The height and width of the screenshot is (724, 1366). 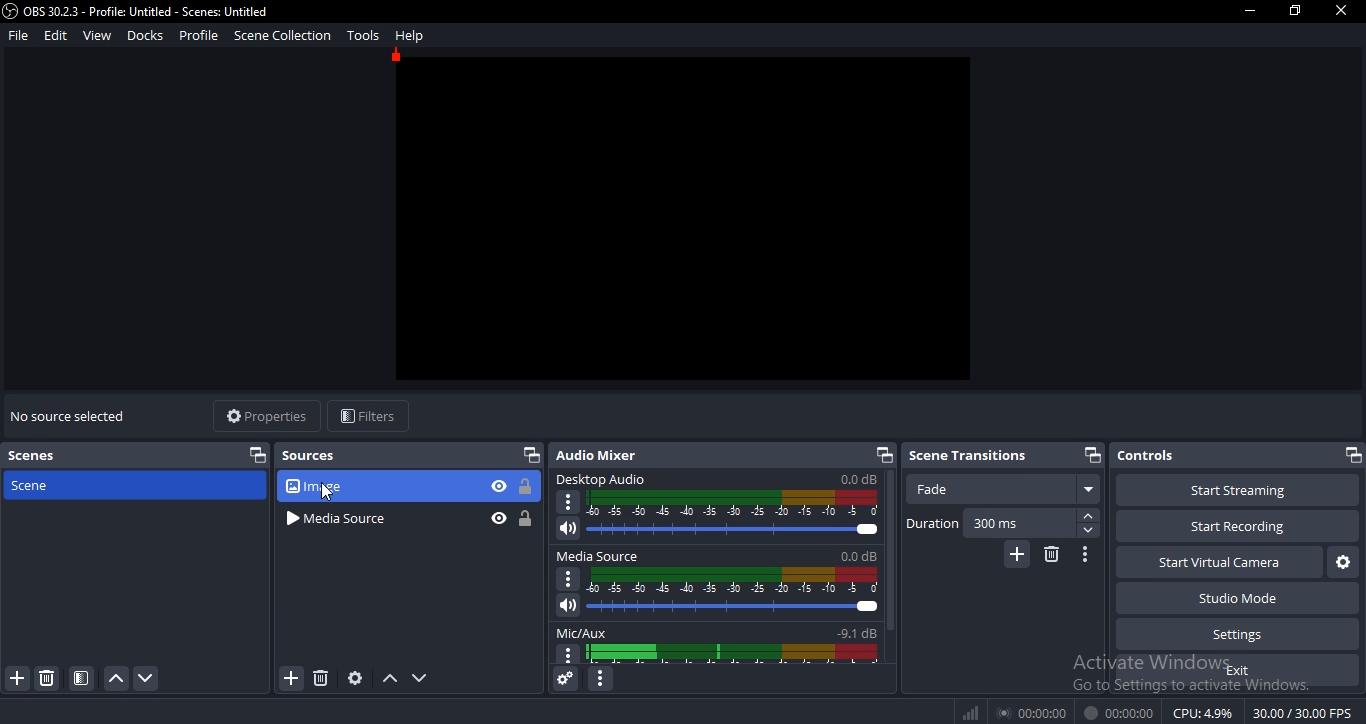 What do you see at coordinates (569, 503) in the screenshot?
I see `option` at bounding box center [569, 503].